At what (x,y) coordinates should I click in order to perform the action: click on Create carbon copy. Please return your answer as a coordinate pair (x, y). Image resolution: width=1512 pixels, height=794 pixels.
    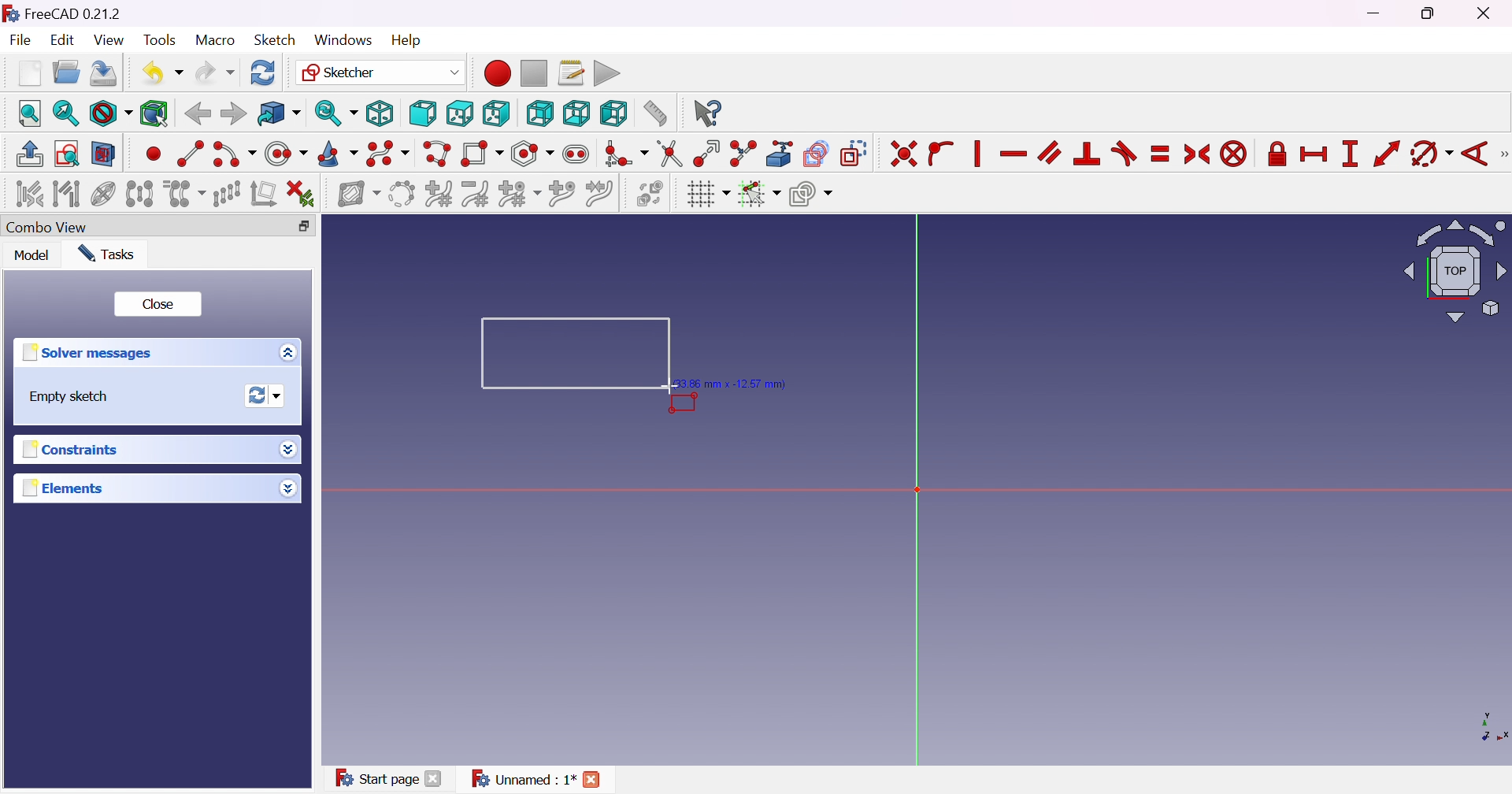
    Looking at the image, I should click on (817, 154).